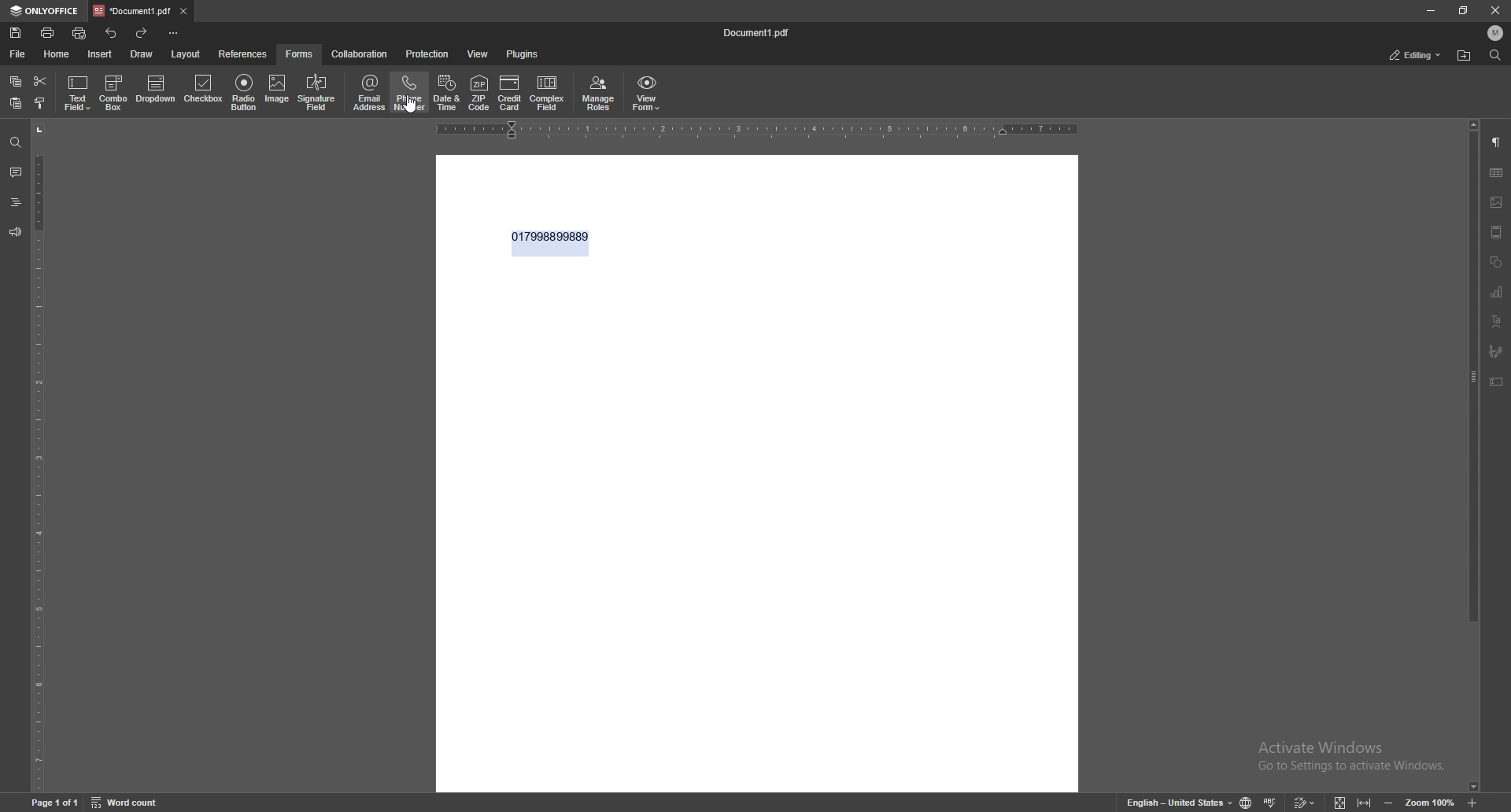  What do you see at coordinates (360, 54) in the screenshot?
I see `collaboration` at bounding box center [360, 54].